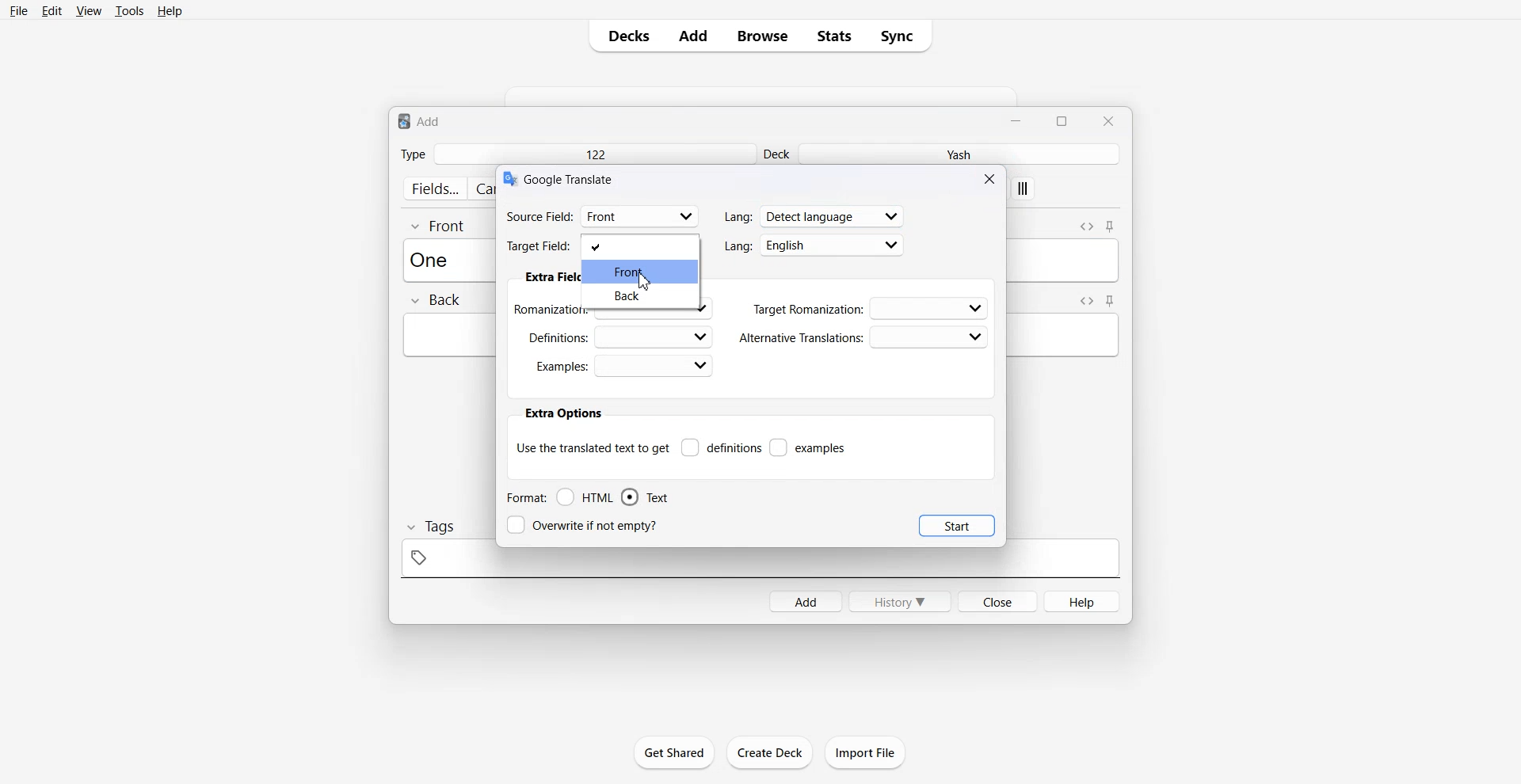  Describe the element at coordinates (1084, 300) in the screenshot. I see `Toggle HTML Editor` at that location.